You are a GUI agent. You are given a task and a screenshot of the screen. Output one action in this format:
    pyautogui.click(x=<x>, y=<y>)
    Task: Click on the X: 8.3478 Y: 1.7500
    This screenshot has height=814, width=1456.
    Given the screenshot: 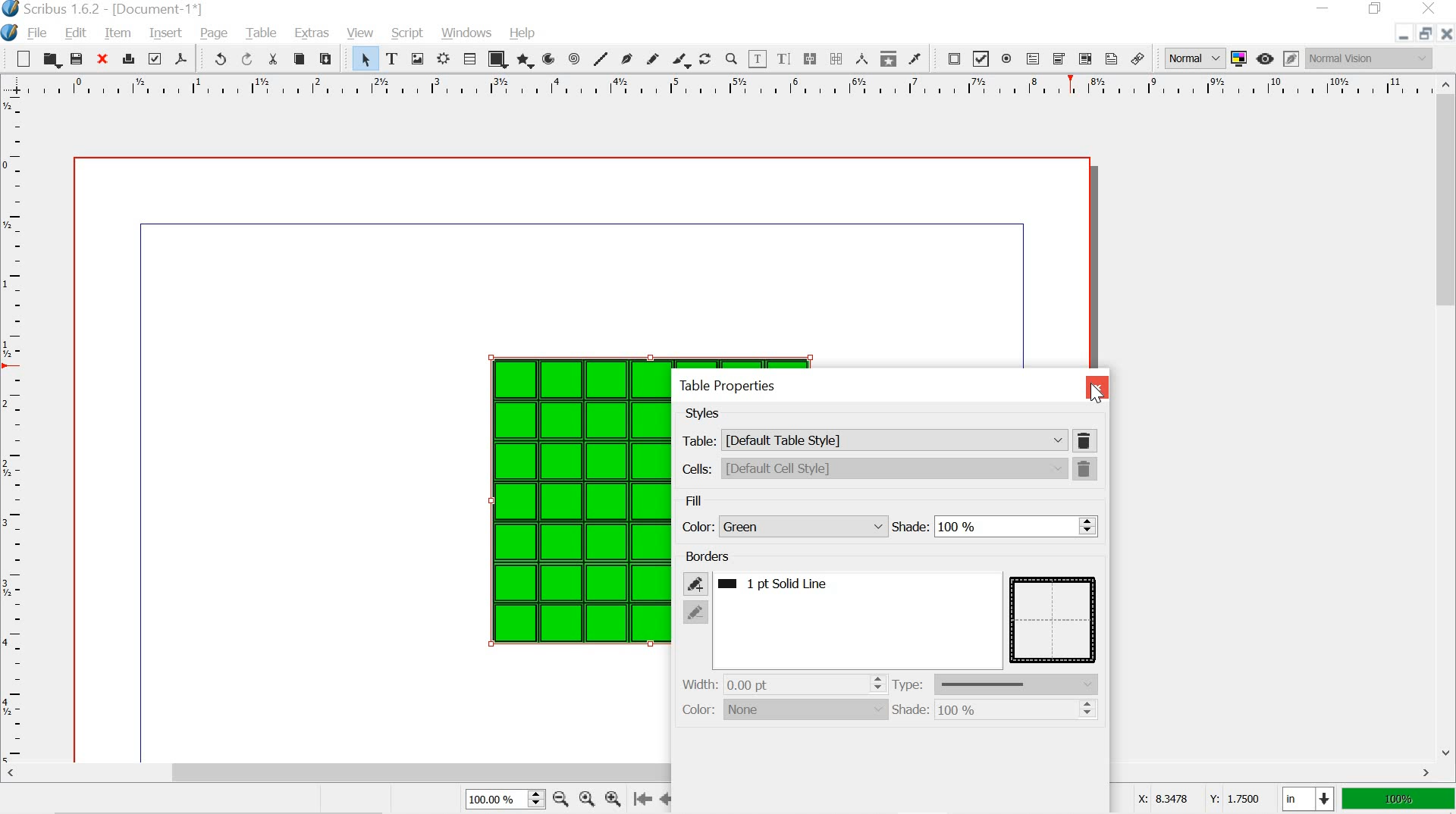 What is the action you would take?
    pyautogui.click(x=1198, y=800)
    